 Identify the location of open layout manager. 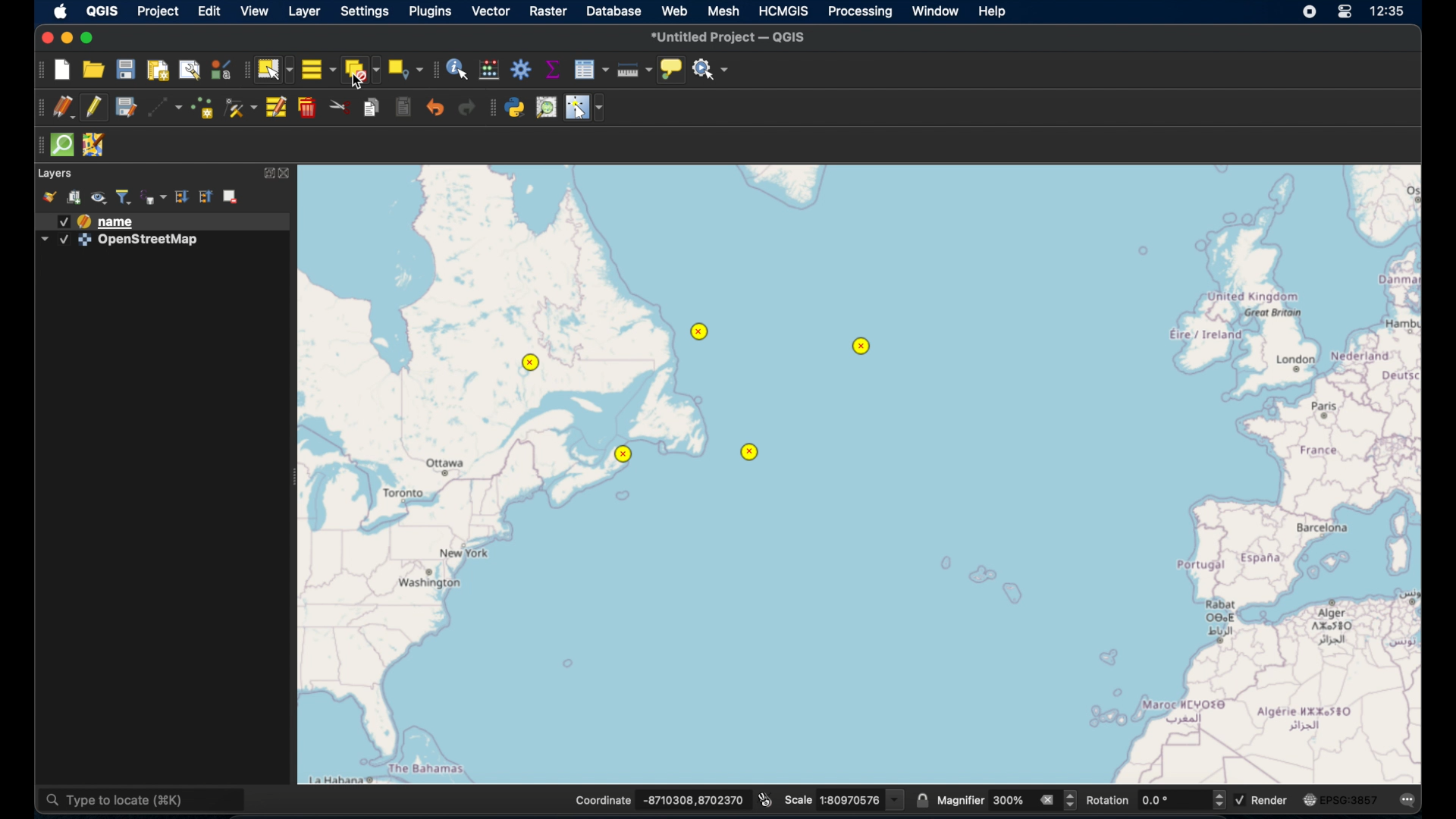
(189, 71).